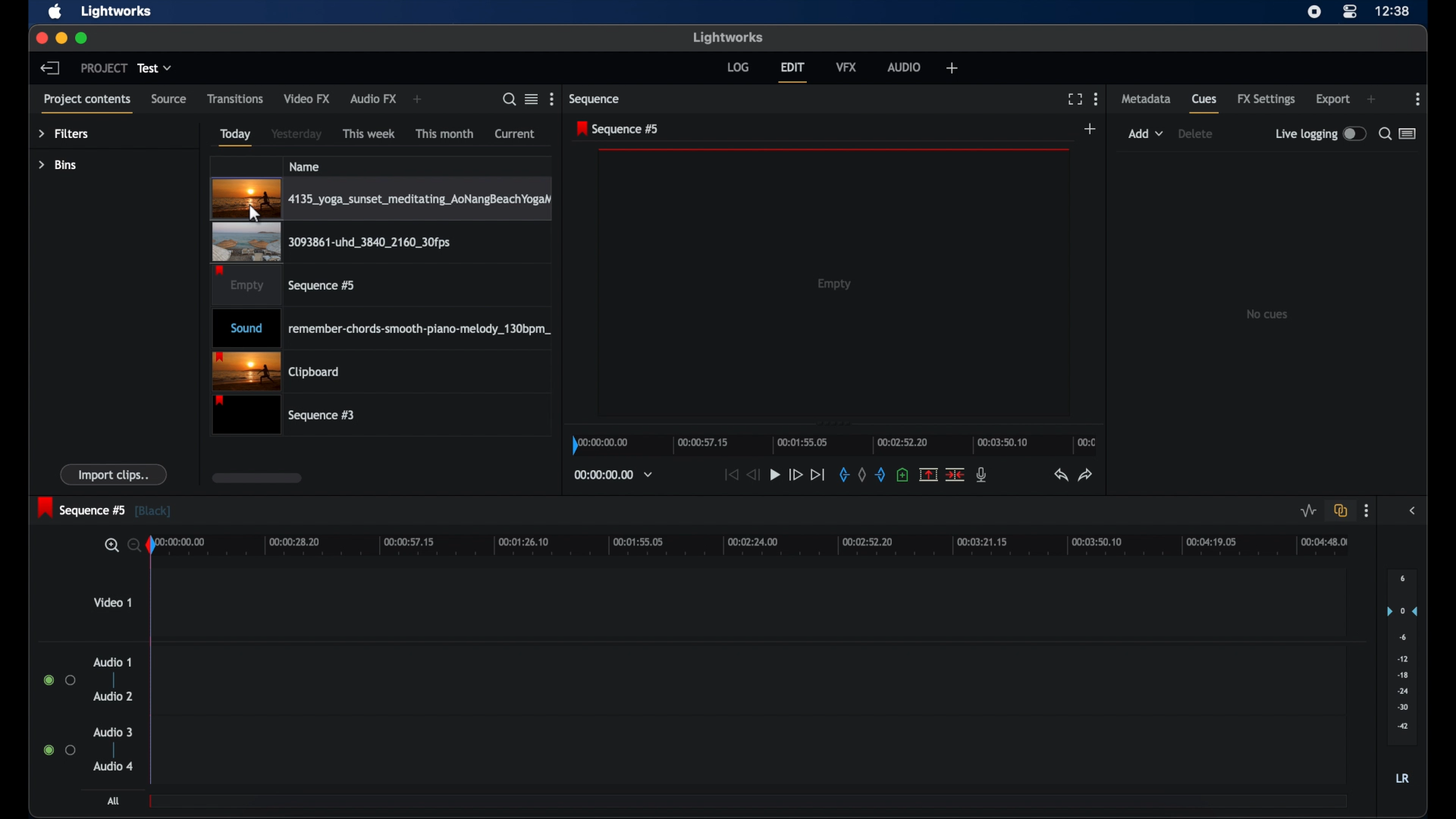 This screenshot has width=1456, height=819. What do you see at coordinates (111, 733) in the screenshot?
I see `audio 3` at bounding box center [111, 733].